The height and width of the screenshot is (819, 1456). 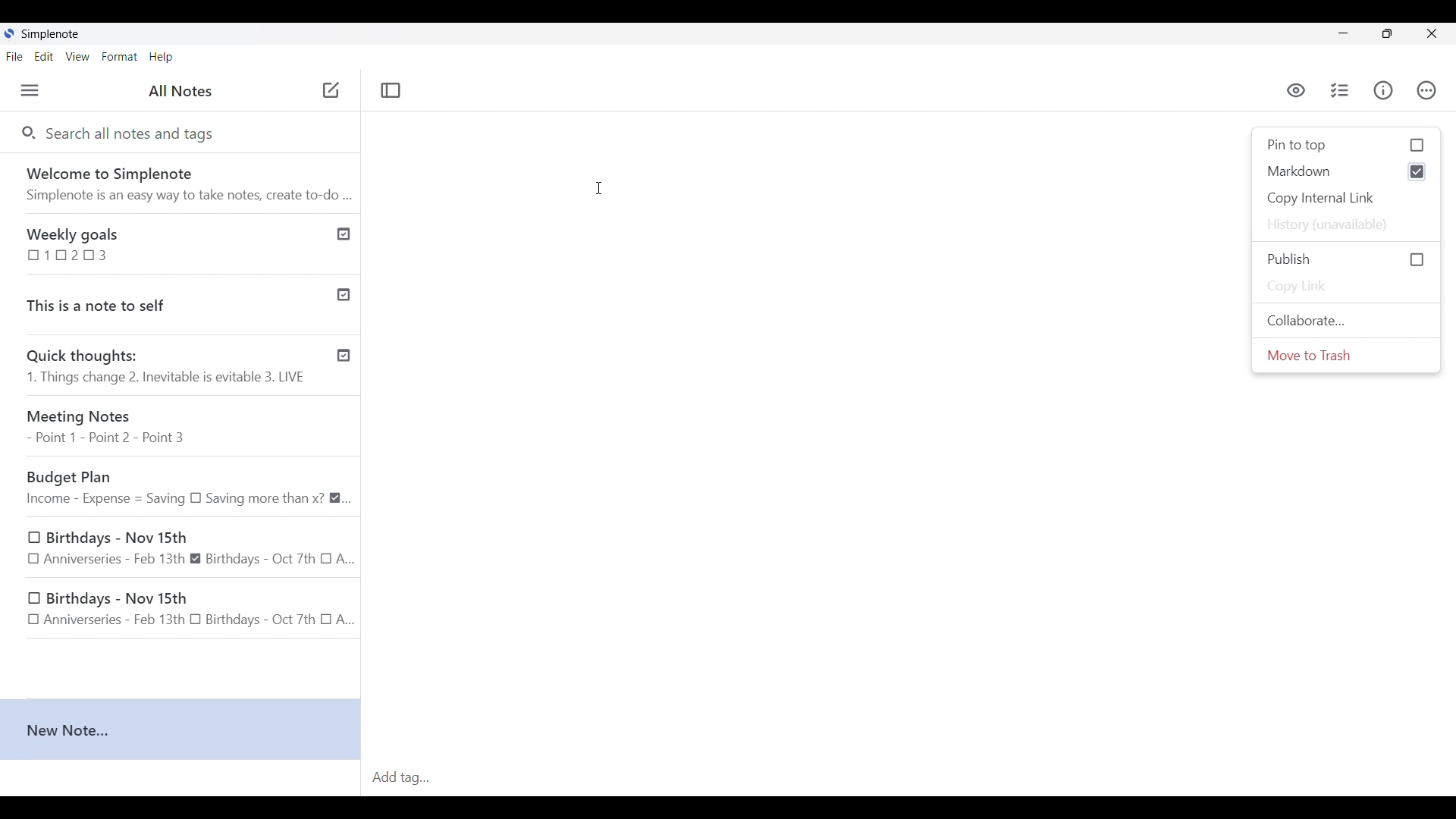 I want to click on Edit menu, so click(x=44, y=56).